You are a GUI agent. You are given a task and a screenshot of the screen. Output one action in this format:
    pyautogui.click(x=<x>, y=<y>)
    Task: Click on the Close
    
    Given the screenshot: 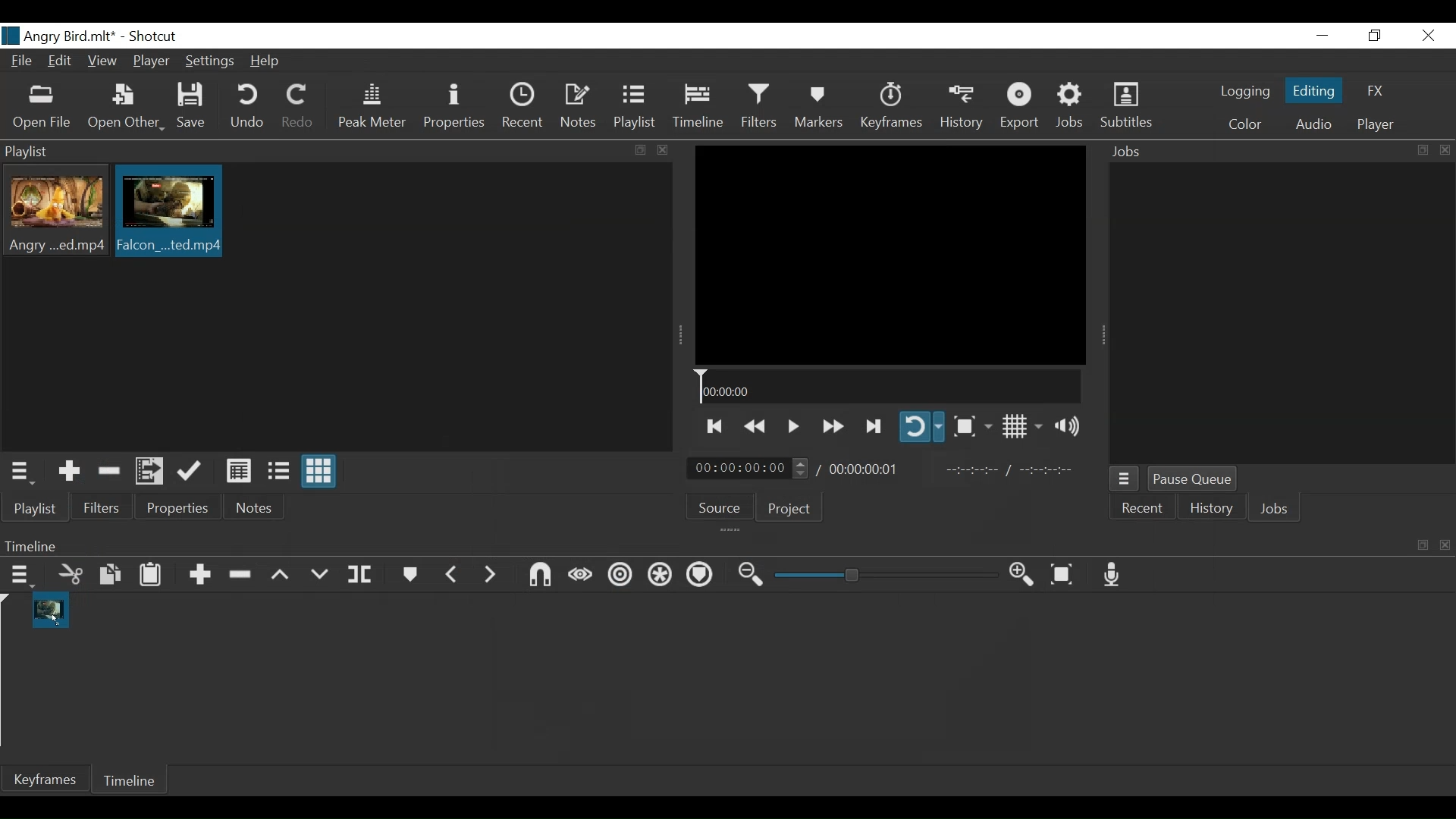 What is the action you would take?
    pyautogui.click(x=1426, y=36)
    